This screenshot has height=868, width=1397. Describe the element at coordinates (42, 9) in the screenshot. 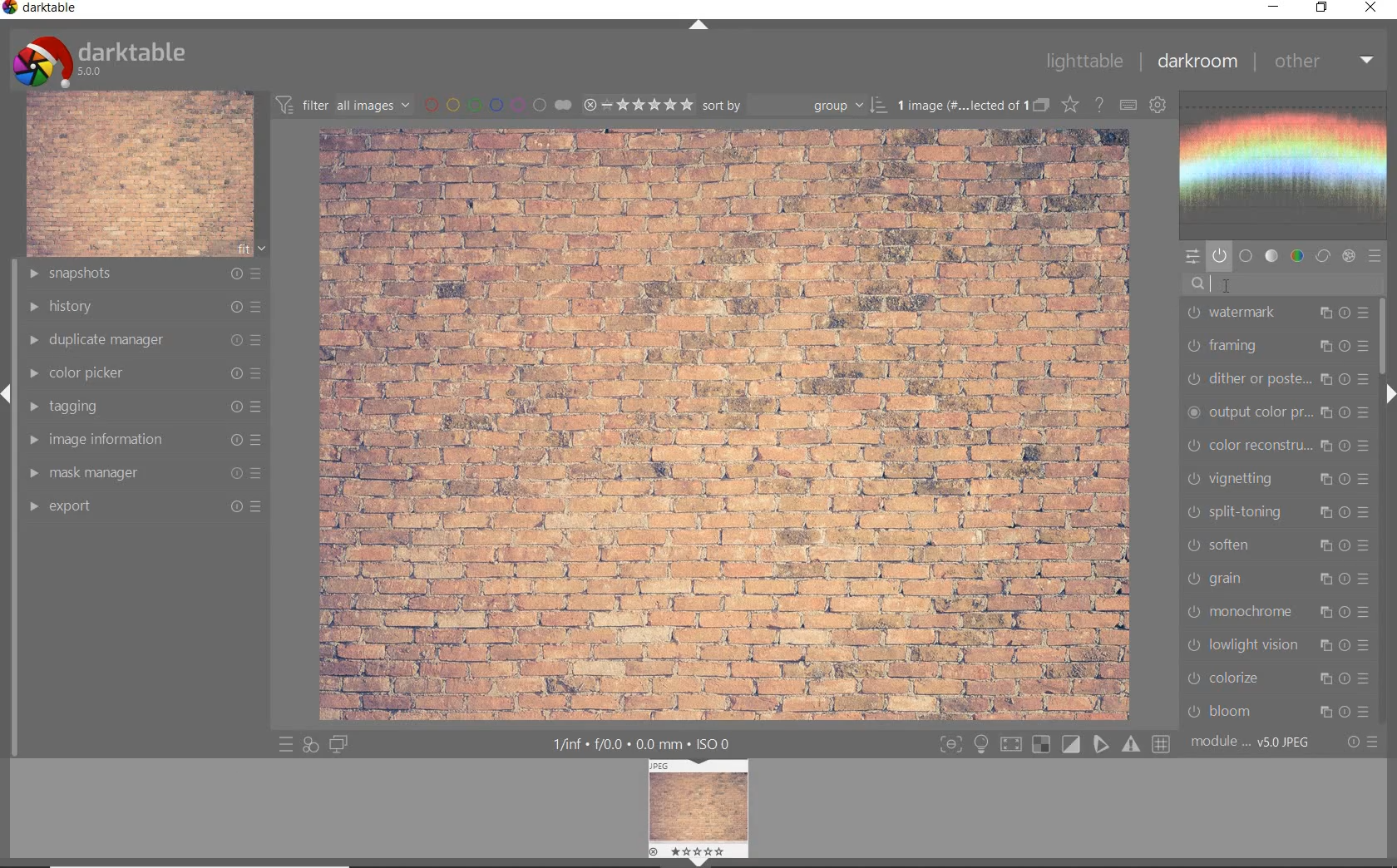

I see `darktable` at that location.